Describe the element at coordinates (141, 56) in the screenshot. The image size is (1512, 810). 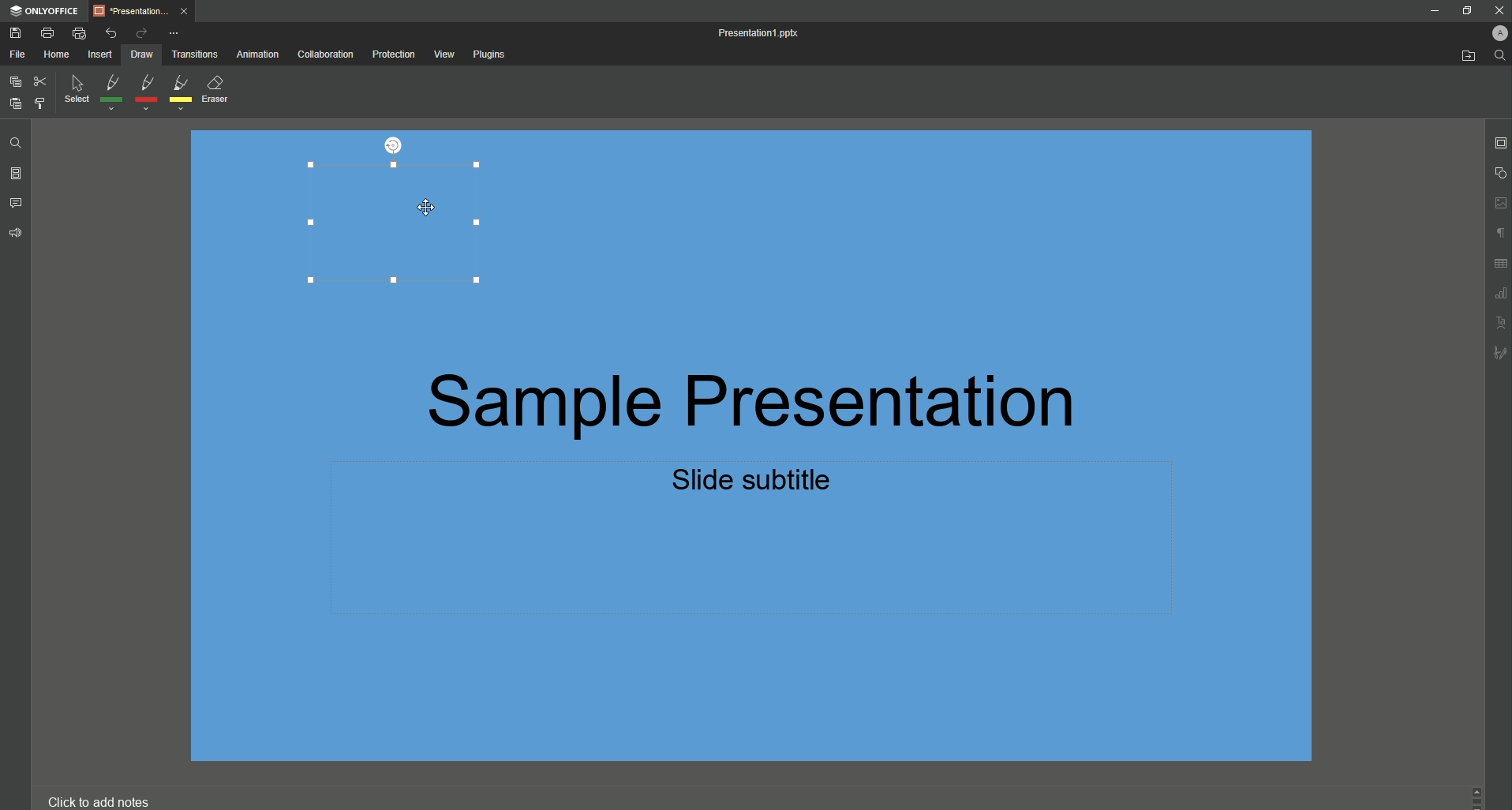
I see `Draw` at that location.